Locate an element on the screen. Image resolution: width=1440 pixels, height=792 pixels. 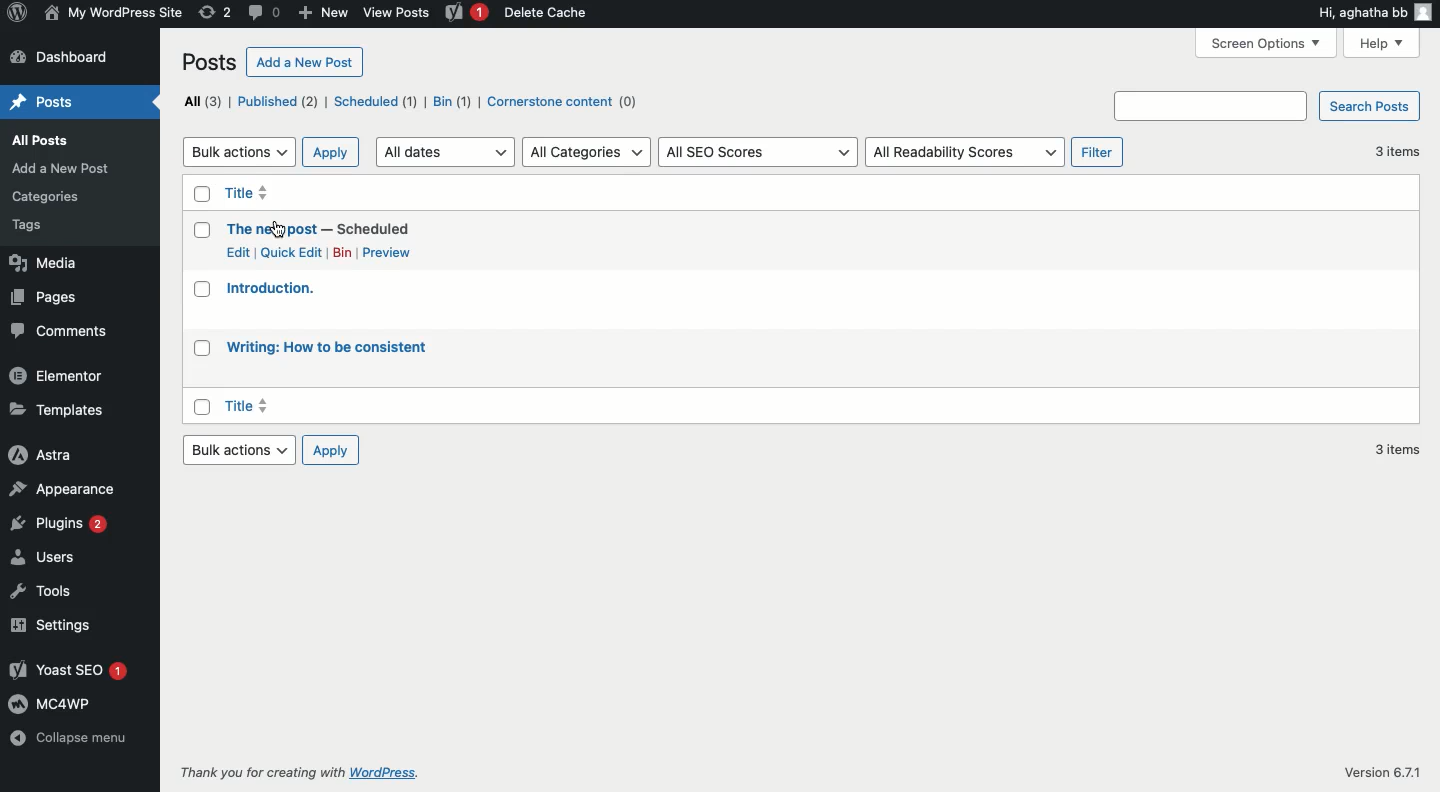
Comment is located at coordinates (262, 13).